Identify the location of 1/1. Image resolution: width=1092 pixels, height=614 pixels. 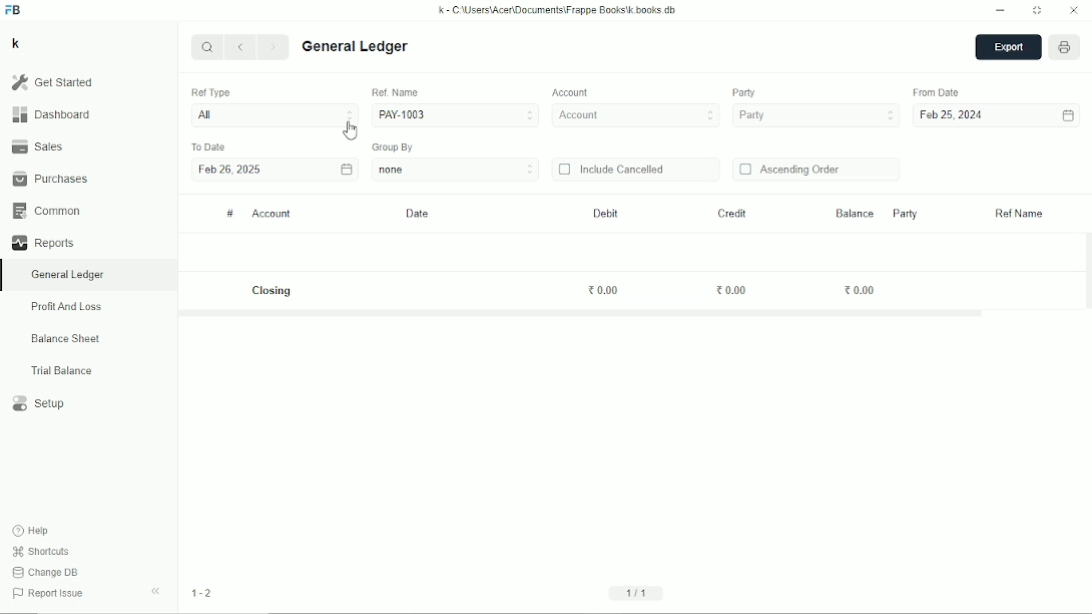
(639, 592).